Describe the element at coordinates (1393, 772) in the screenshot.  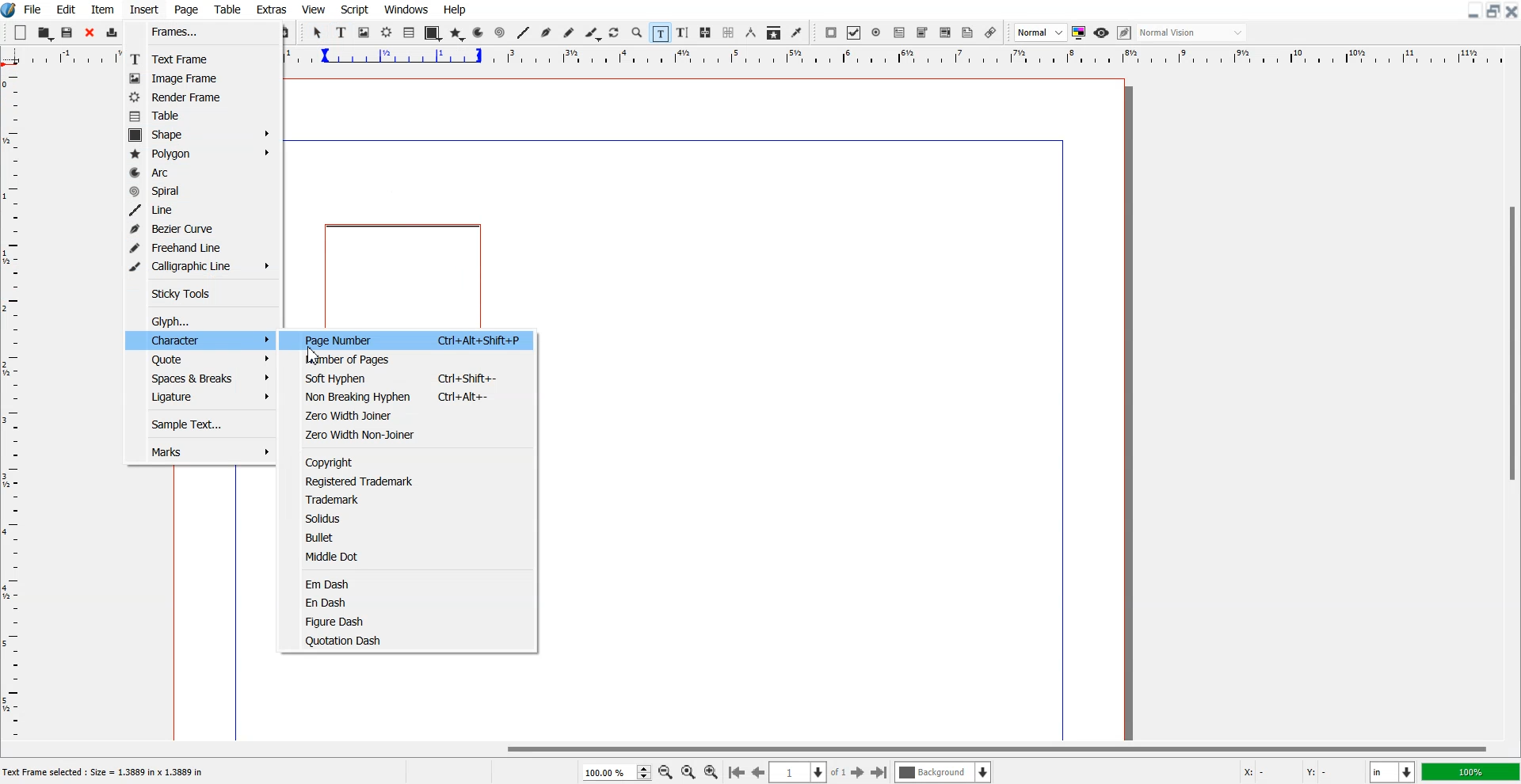
I see `Measurement in Inches` at that location.